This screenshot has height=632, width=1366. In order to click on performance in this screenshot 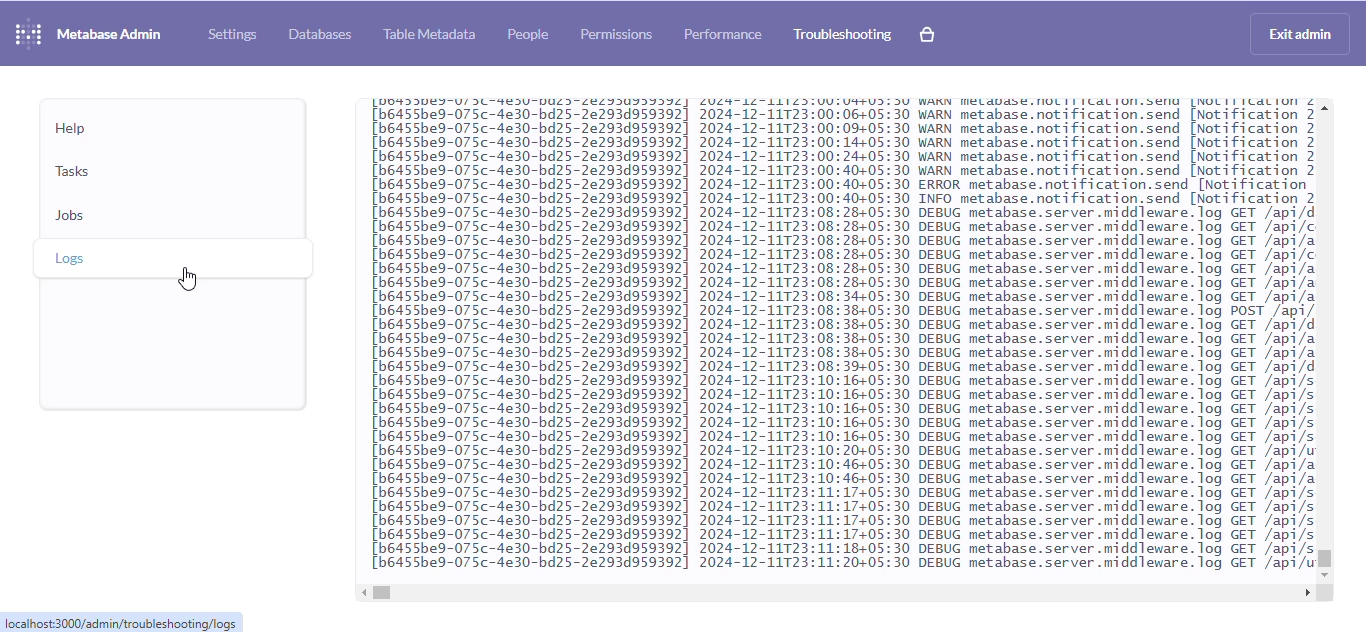, I will do `click(723, 34)`.